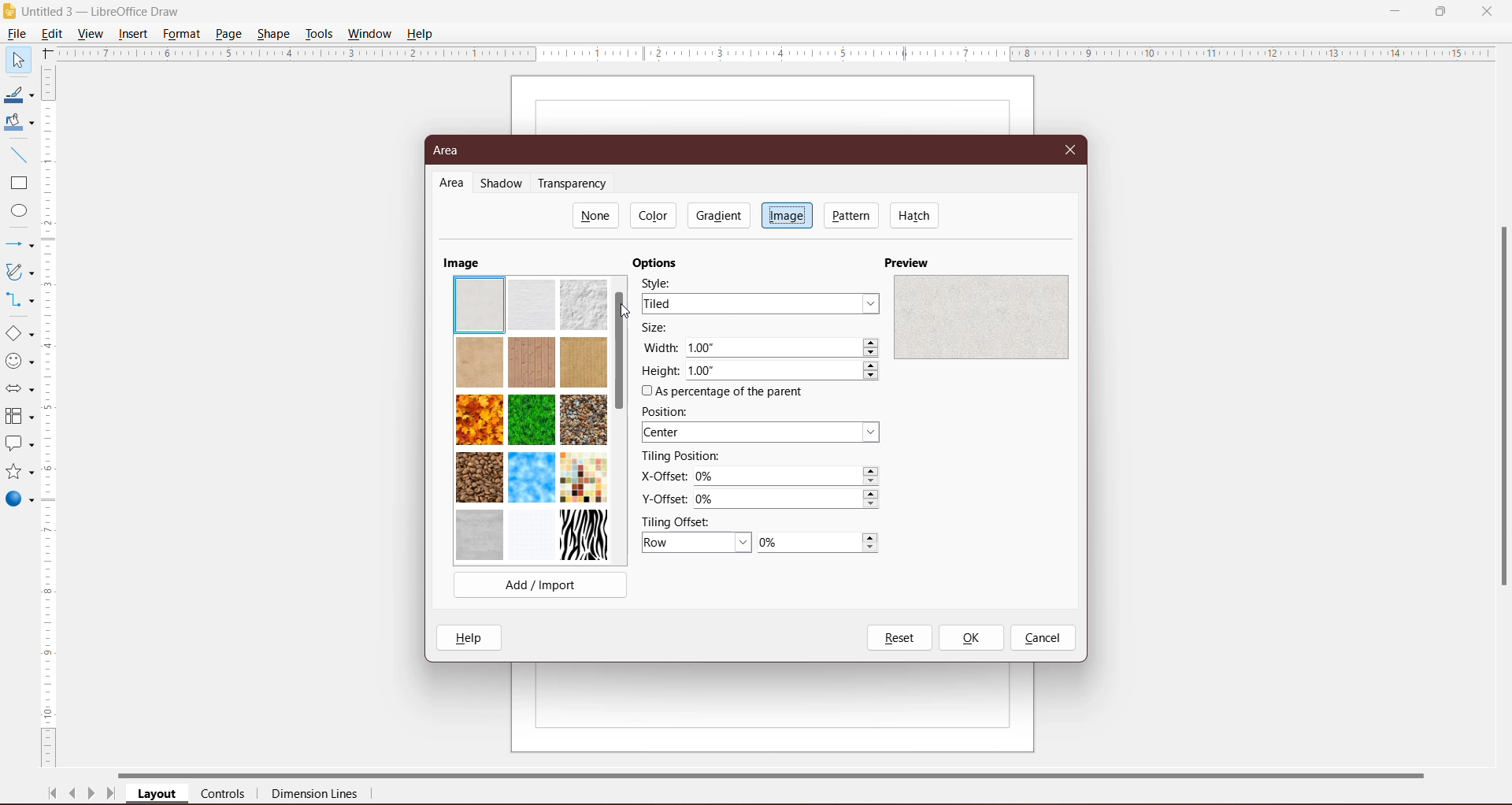  I want to click on Callout Shapes, so click(18, 445).